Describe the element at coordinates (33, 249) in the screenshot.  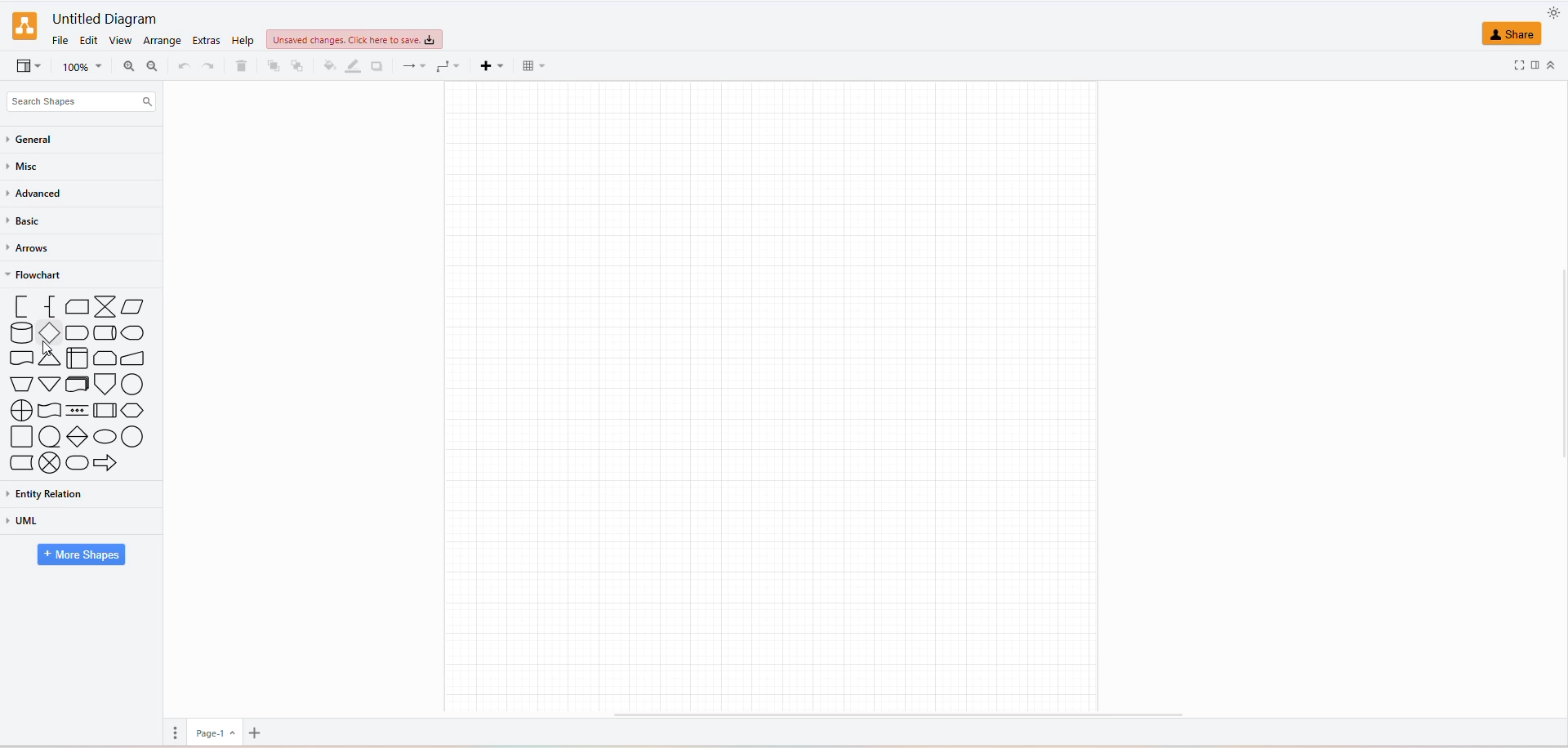
I see `ARROWS` at that location.